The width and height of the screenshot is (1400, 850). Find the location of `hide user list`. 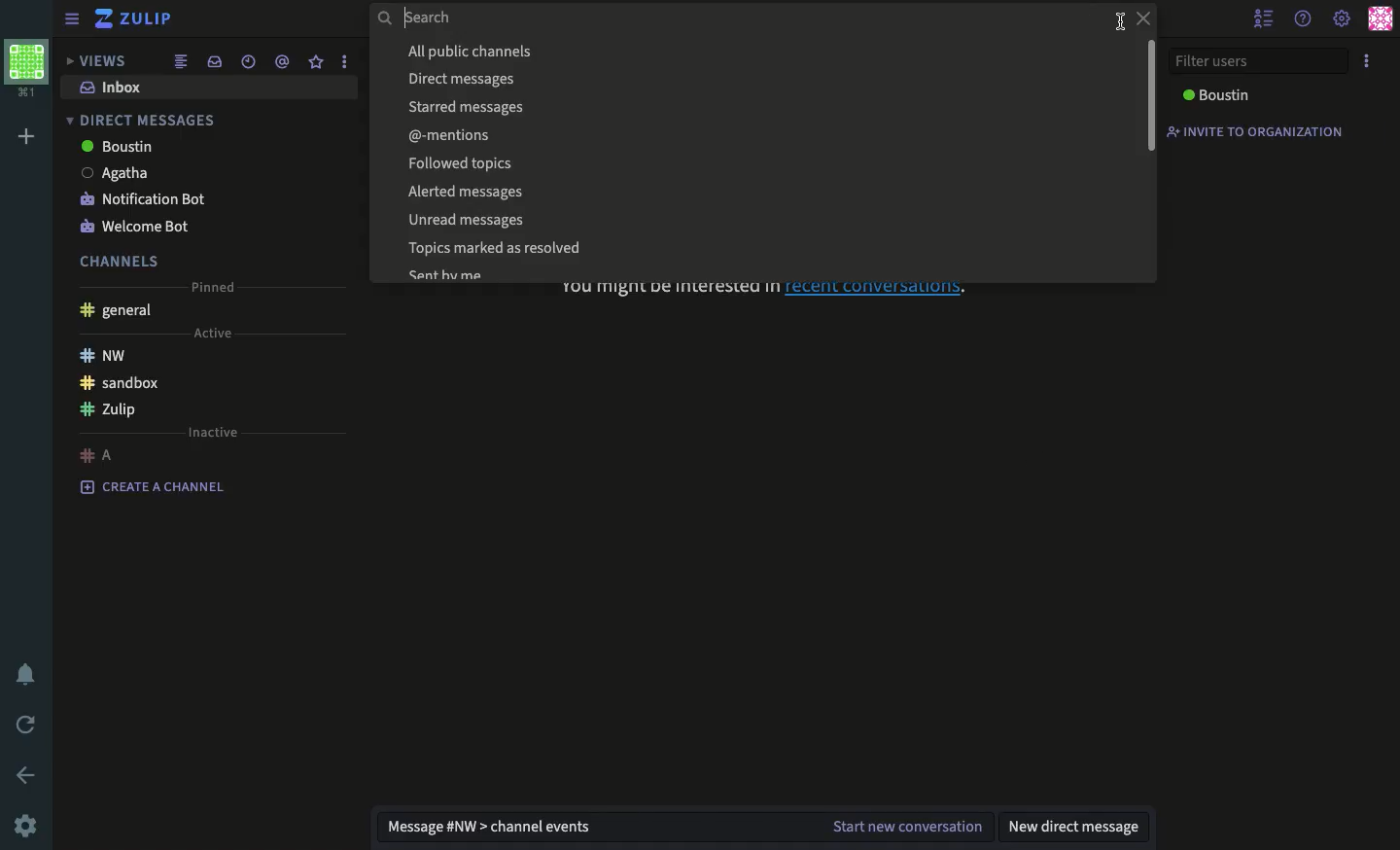

hide user list is located at coordinates (1264, 19).